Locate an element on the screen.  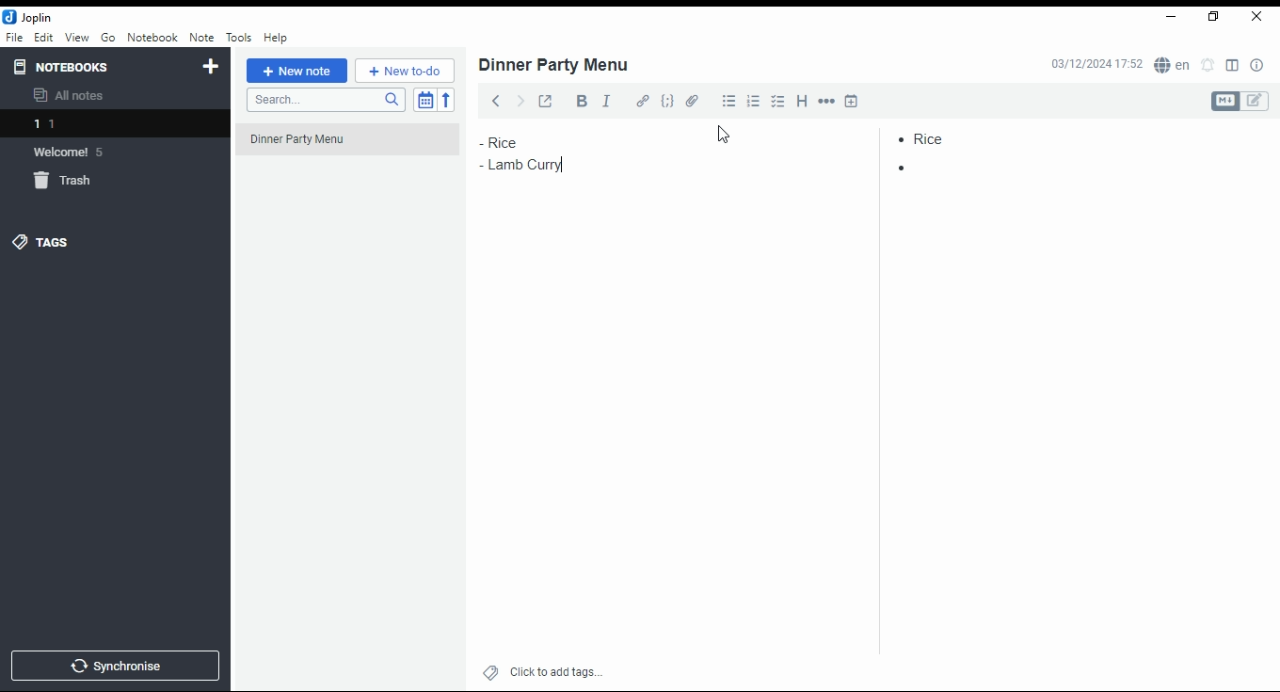
code is located at coordinates (668, 103).